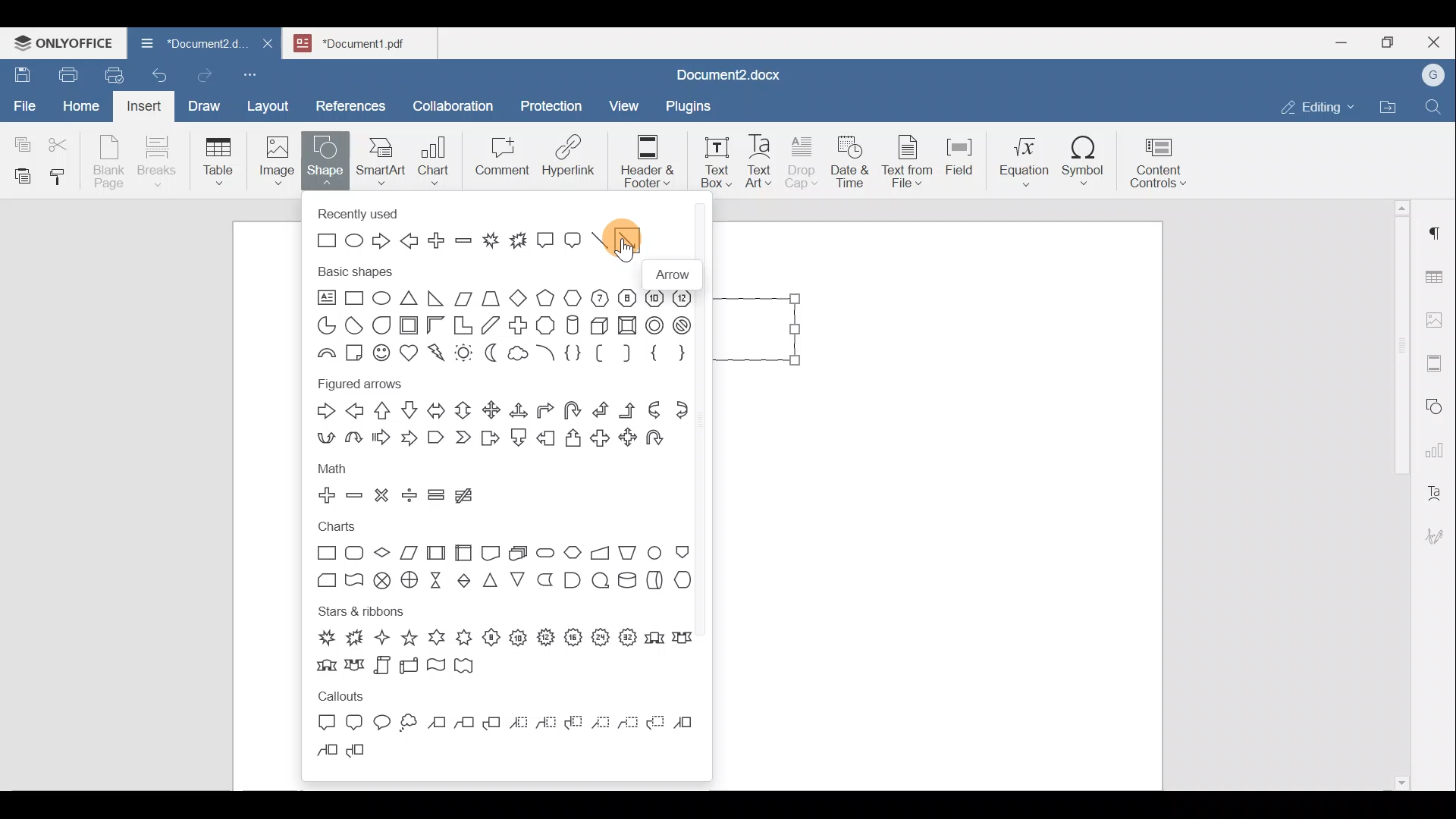 Image resolution: width=1456 pixels, height=819 pixels. What do you see at coordinates (959, 154) in the screenshot?
I see `Field` at bounding box center [959, 154].